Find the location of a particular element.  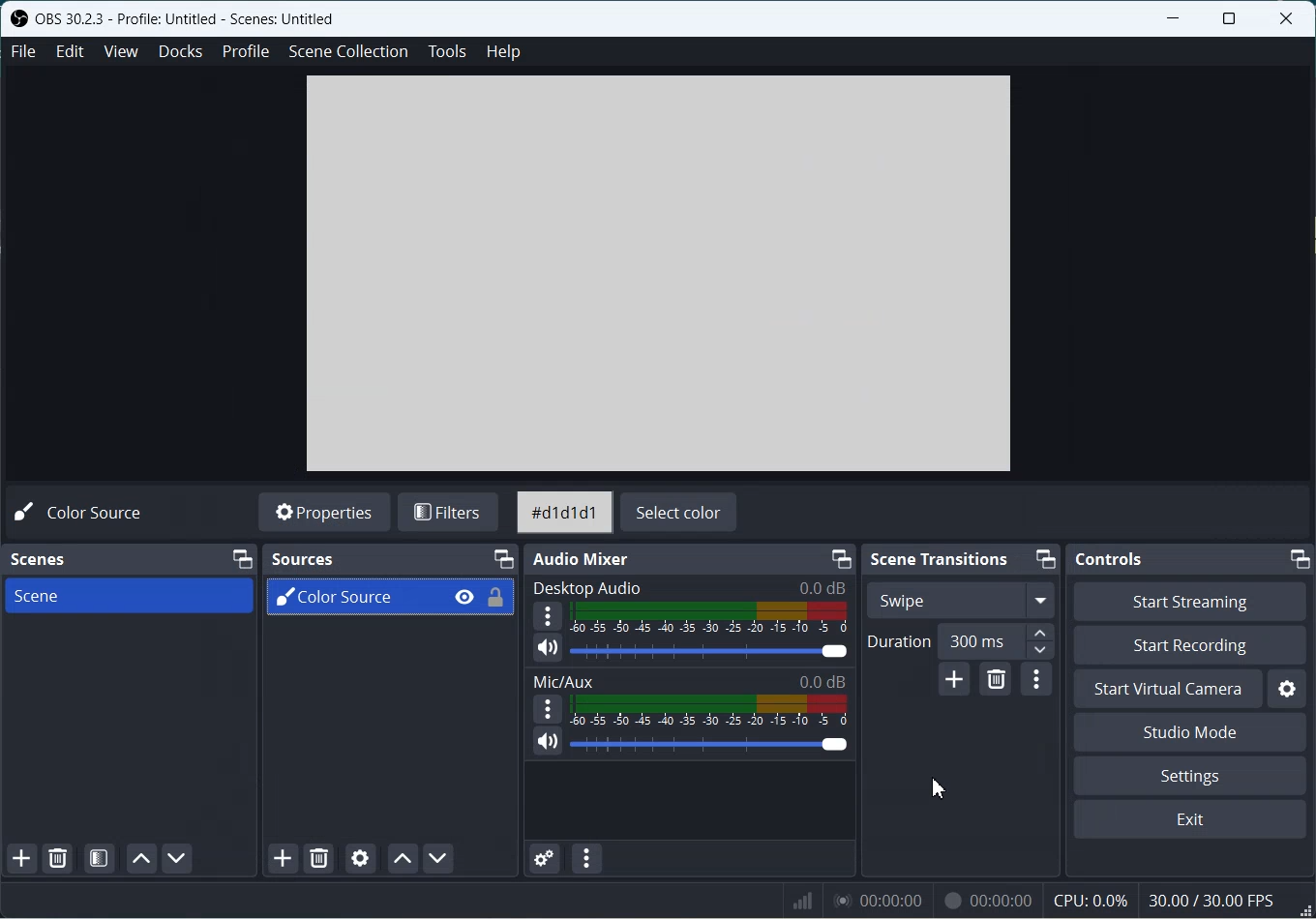

Move scene up is located at coordinates (140, 859).